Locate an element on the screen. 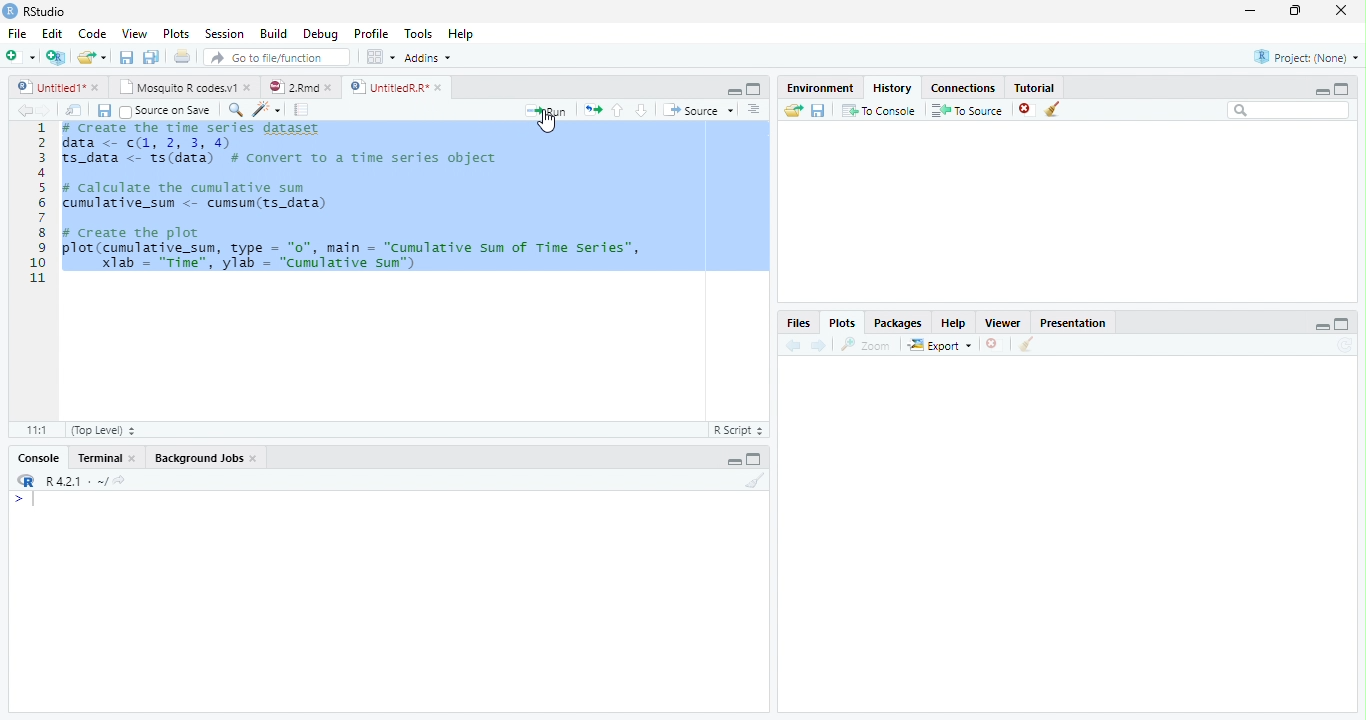  Tutorial is located at coordinates (1036, 86).